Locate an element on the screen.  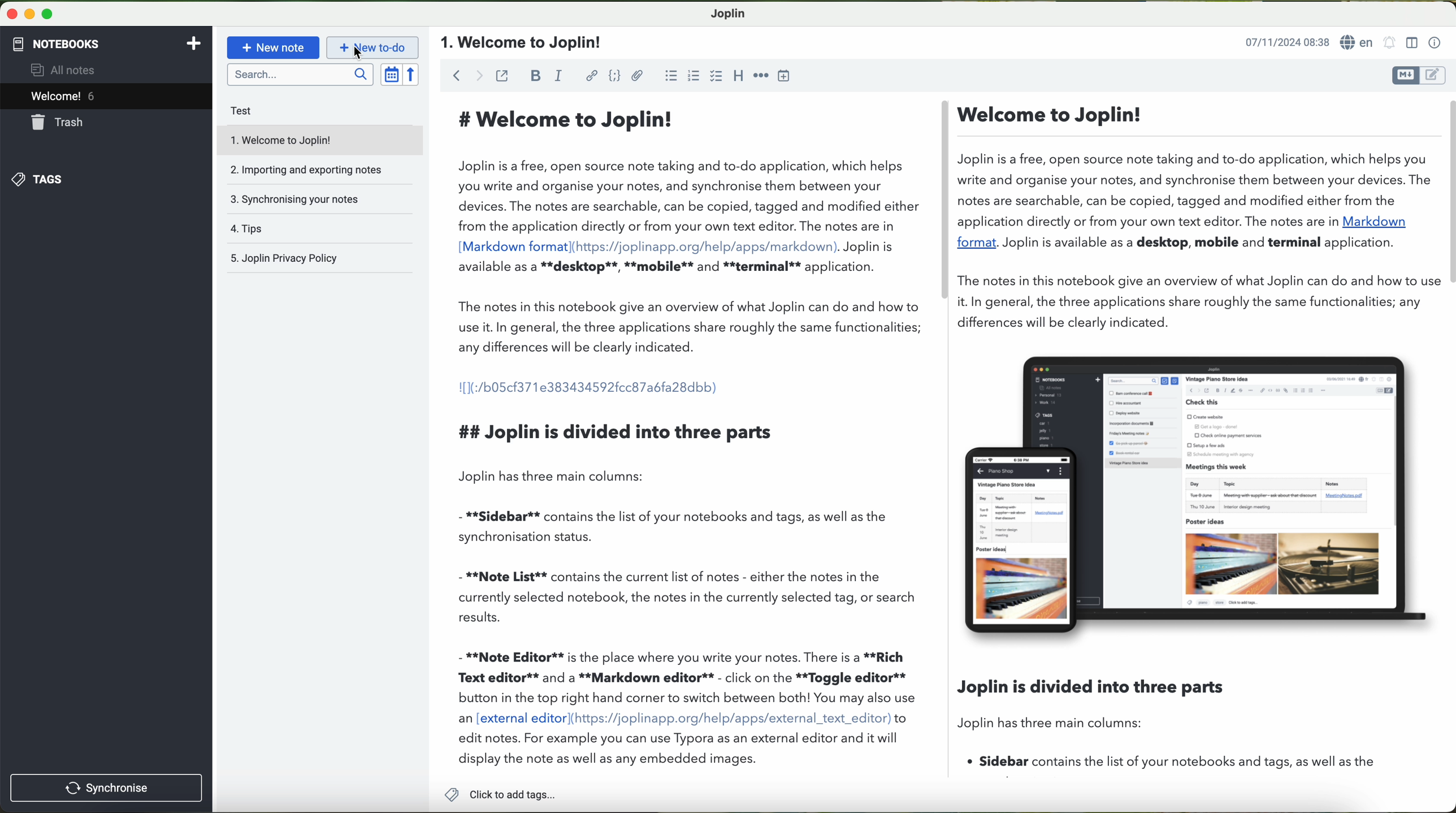
language is located at coordinates (1359, 44).